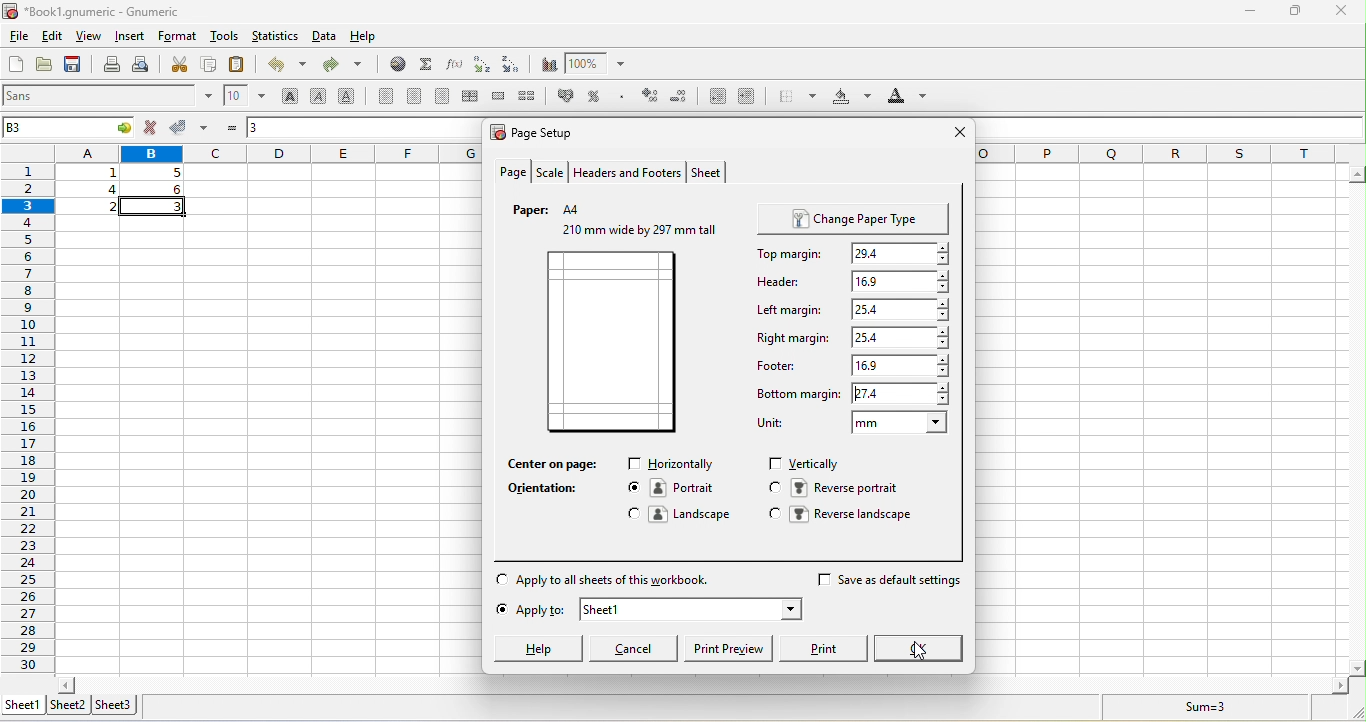  What do you see at coordinates (904, 254) in the screenshot?
I see `29.4` at bounding box center [904, 254].